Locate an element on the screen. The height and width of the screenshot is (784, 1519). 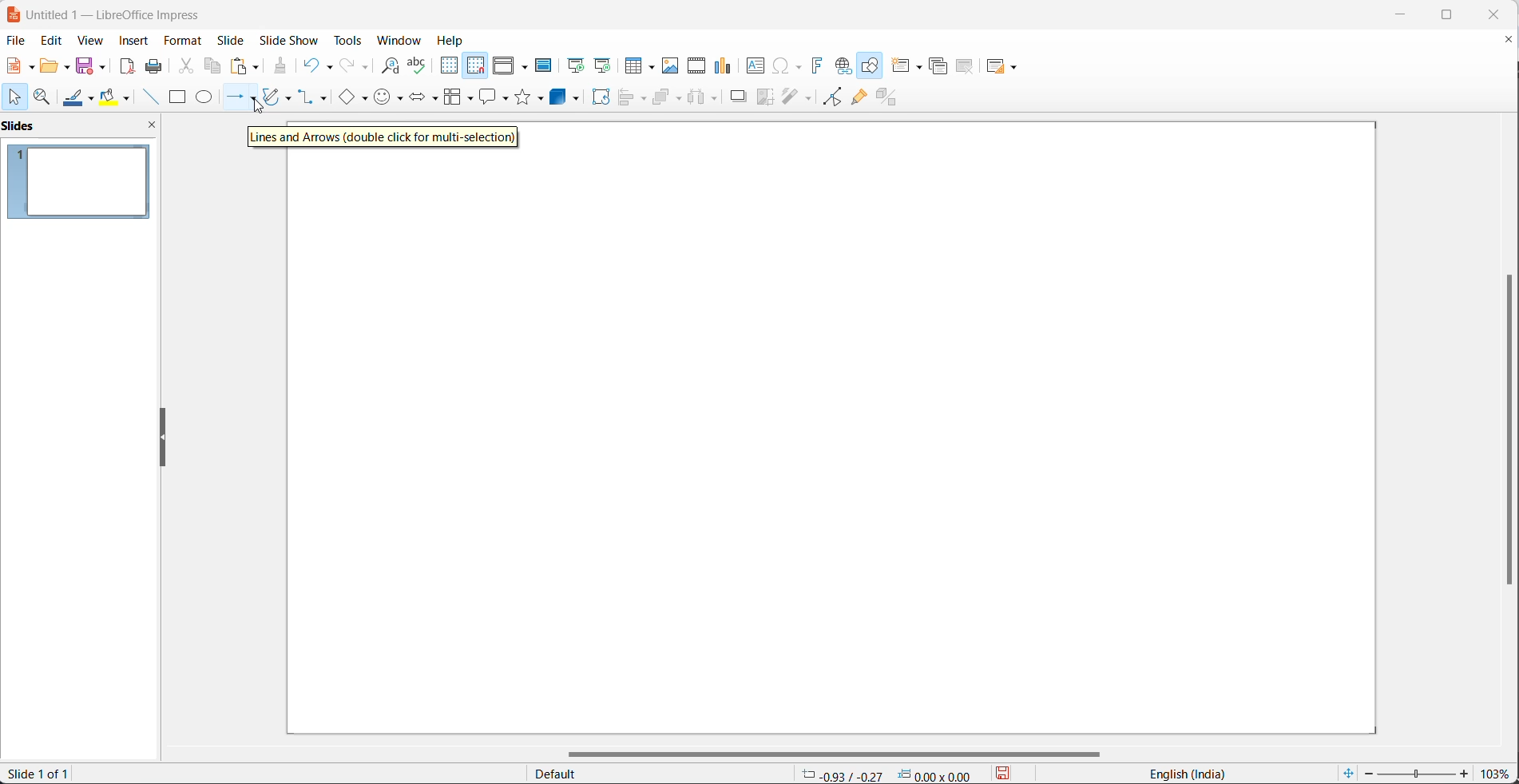
slide 1 of 1 is located at coordinates (47, 775).